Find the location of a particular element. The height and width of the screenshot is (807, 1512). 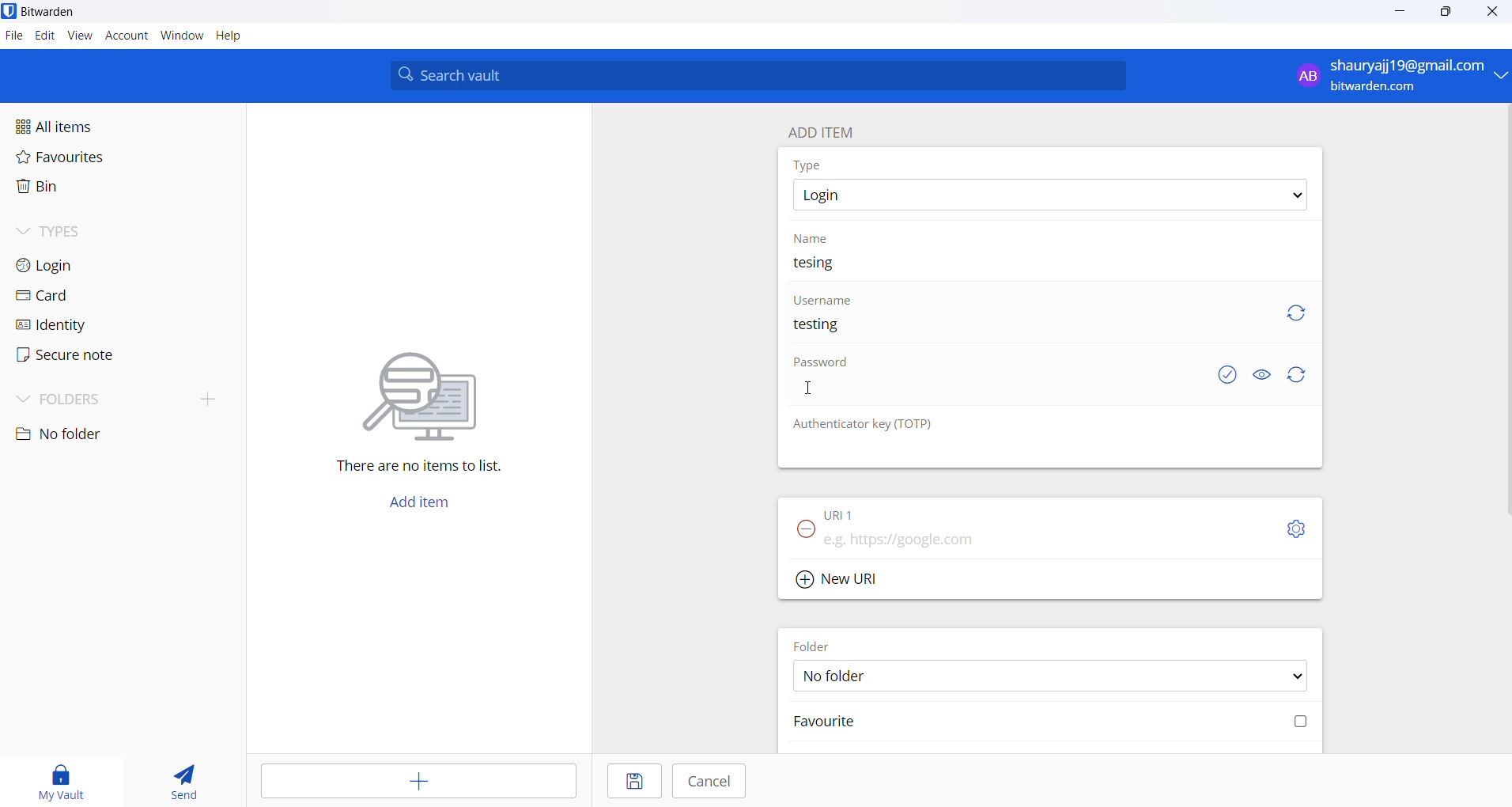

sentence about no items are currently in the vault is located at coordinates (427, 468).